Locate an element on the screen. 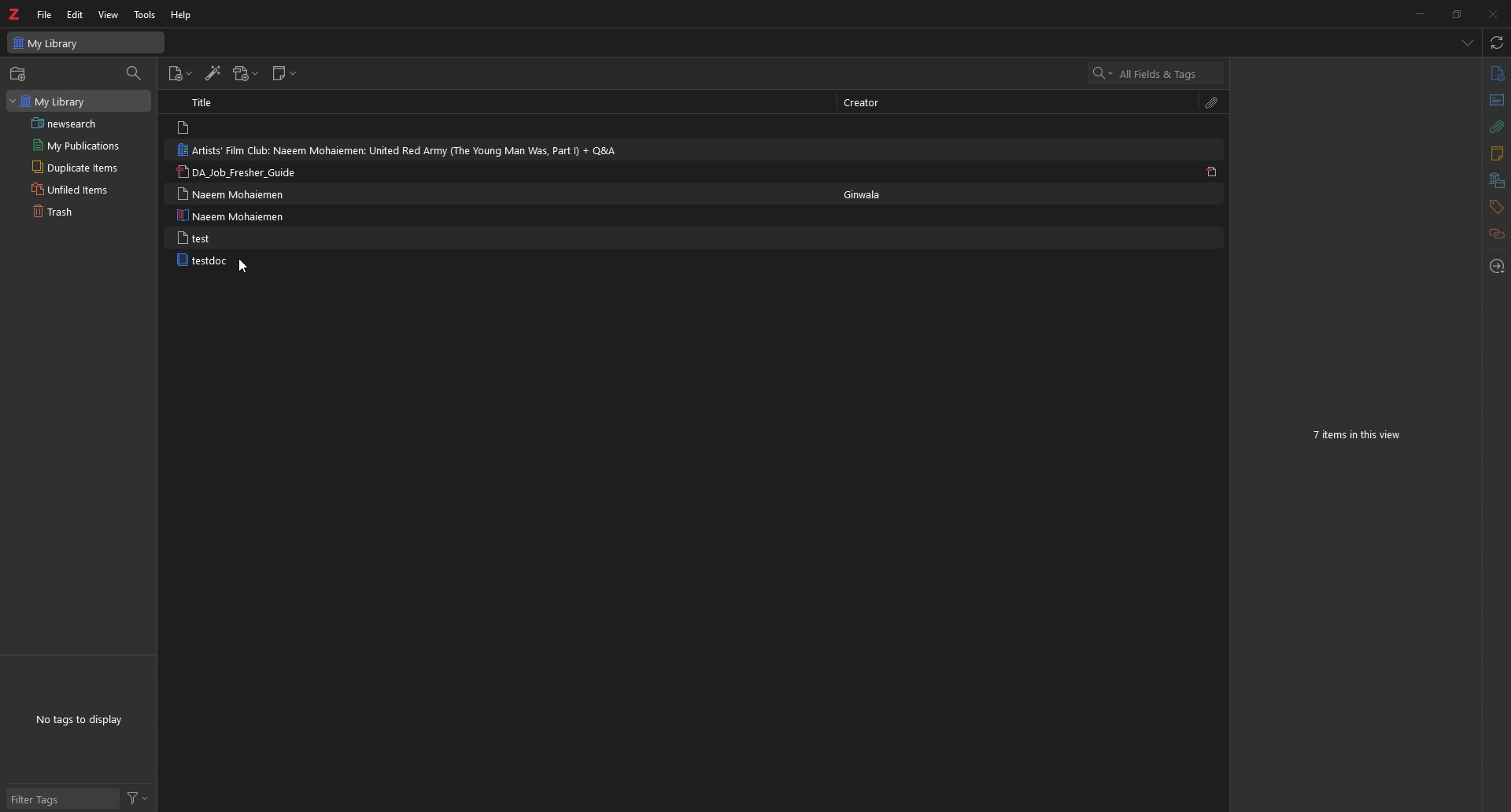 This screenshot has height=812, width=1511. abstract is located at coordinates (1494, 100).